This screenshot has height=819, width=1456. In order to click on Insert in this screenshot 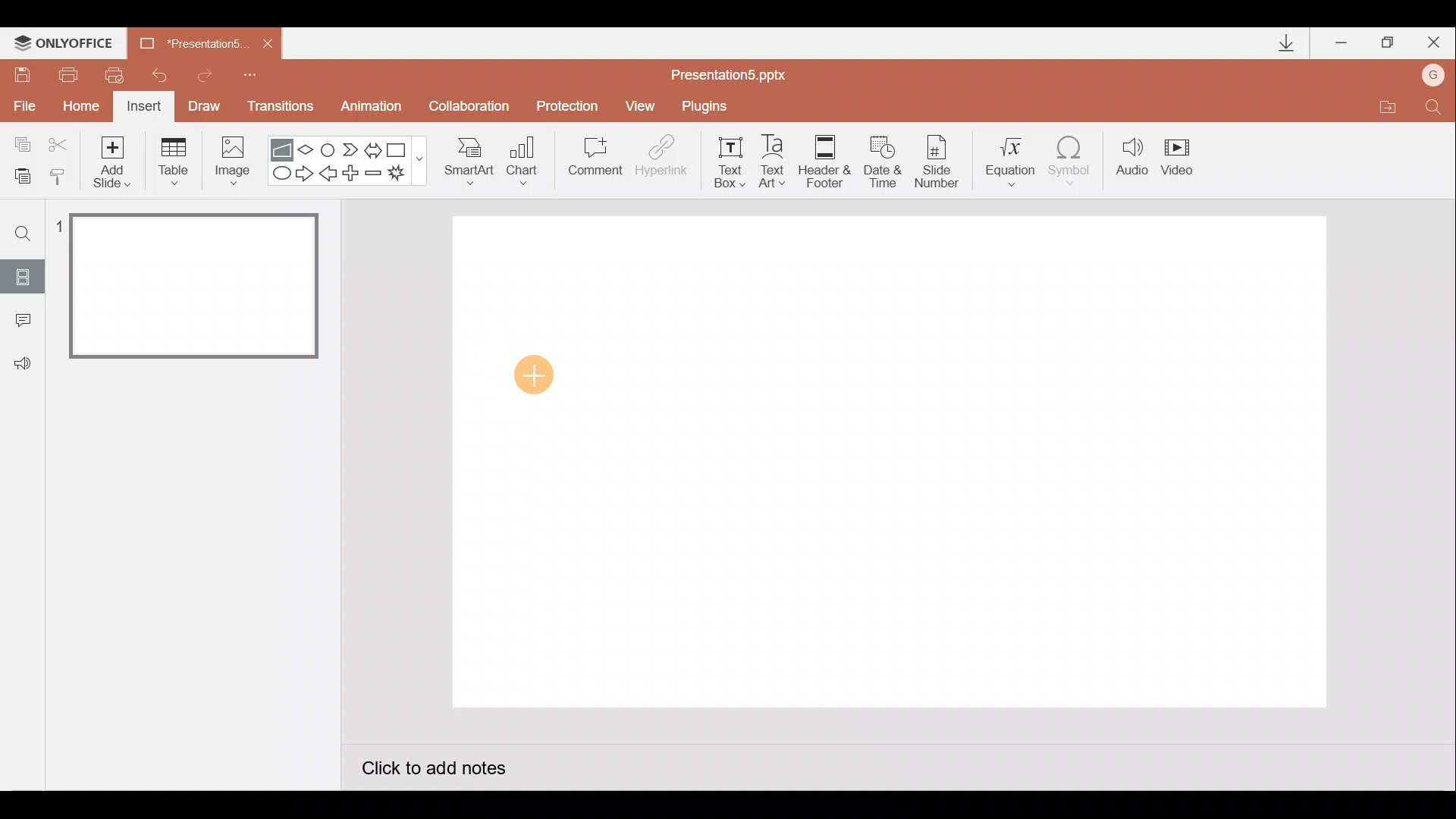, I will do `click(142, 108)`.